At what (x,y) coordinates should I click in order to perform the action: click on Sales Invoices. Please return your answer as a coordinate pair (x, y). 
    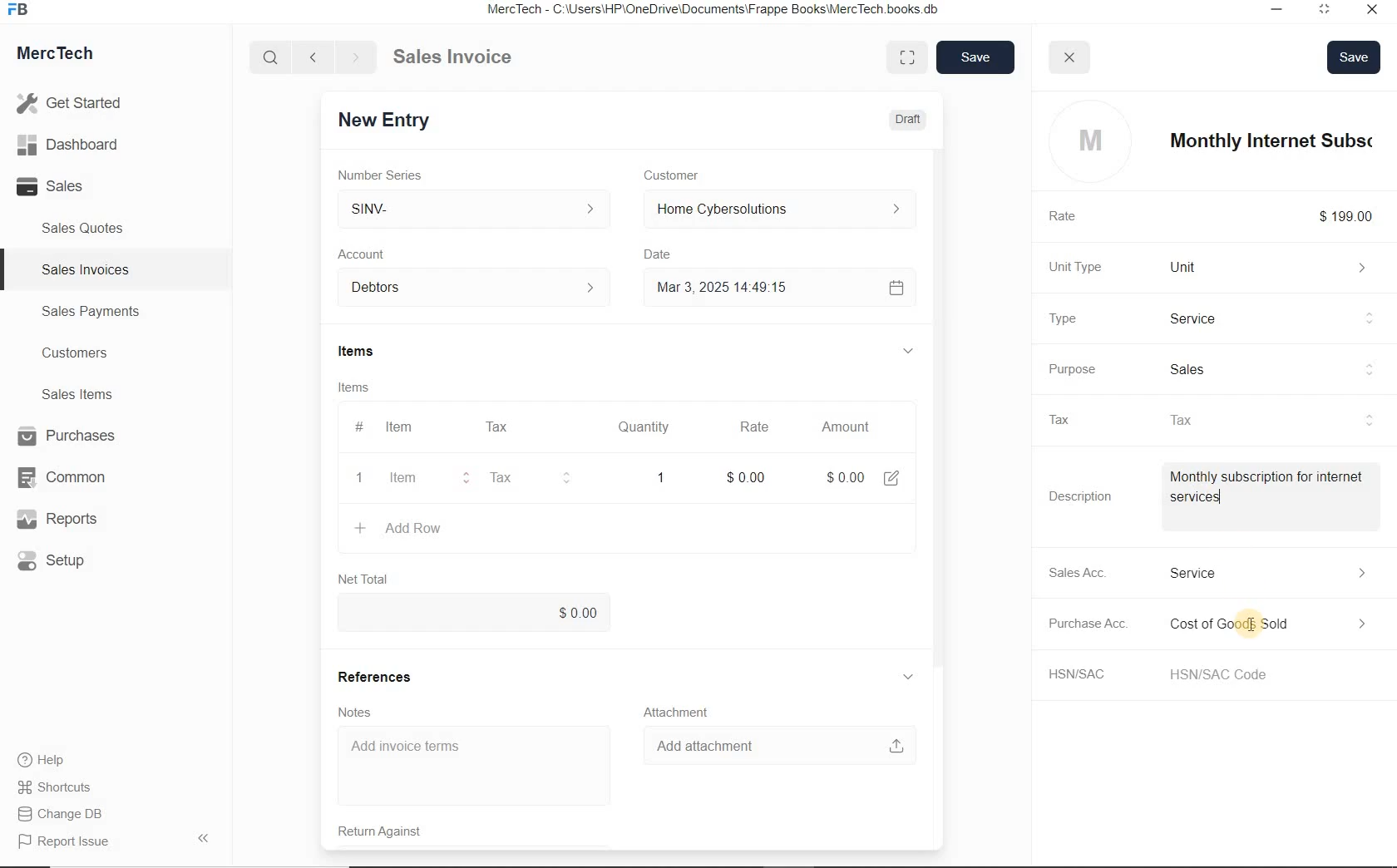
    Looking at the image, I should click on (86, 269).